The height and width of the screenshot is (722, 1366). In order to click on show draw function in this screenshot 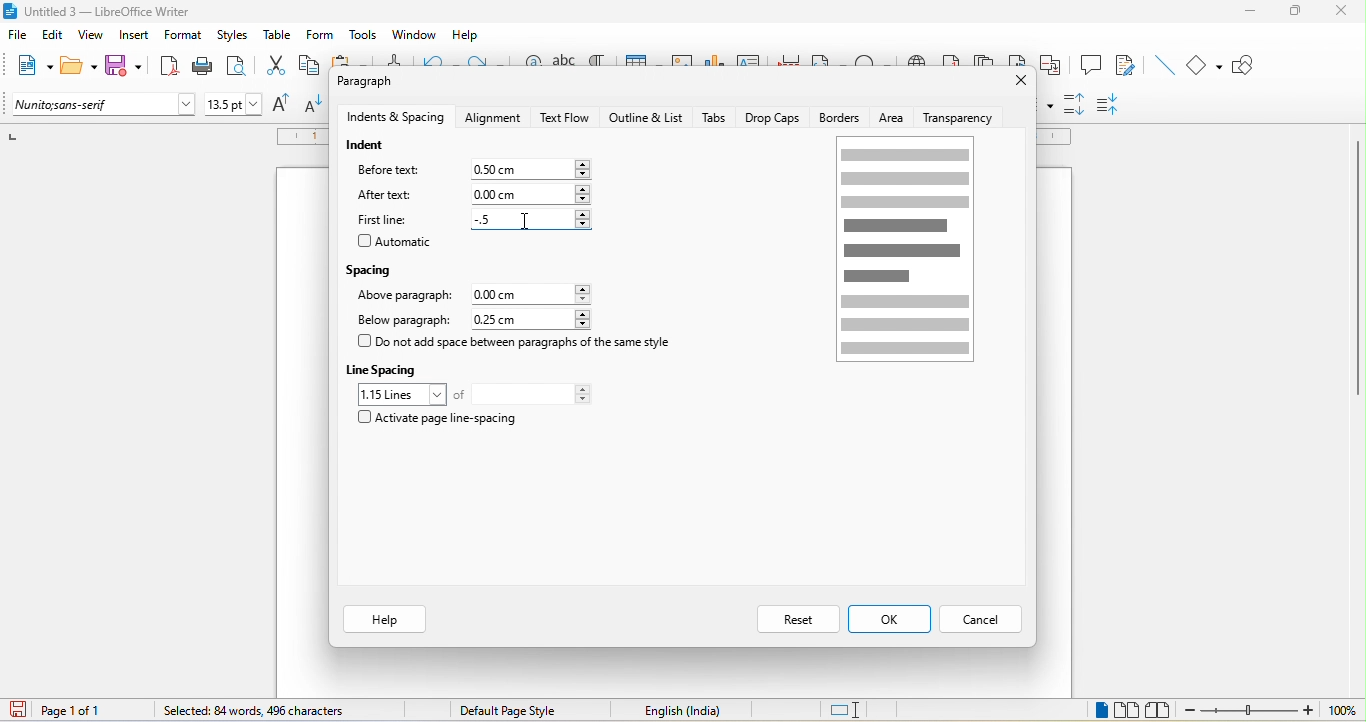, I will do `click(1250, 65)`.